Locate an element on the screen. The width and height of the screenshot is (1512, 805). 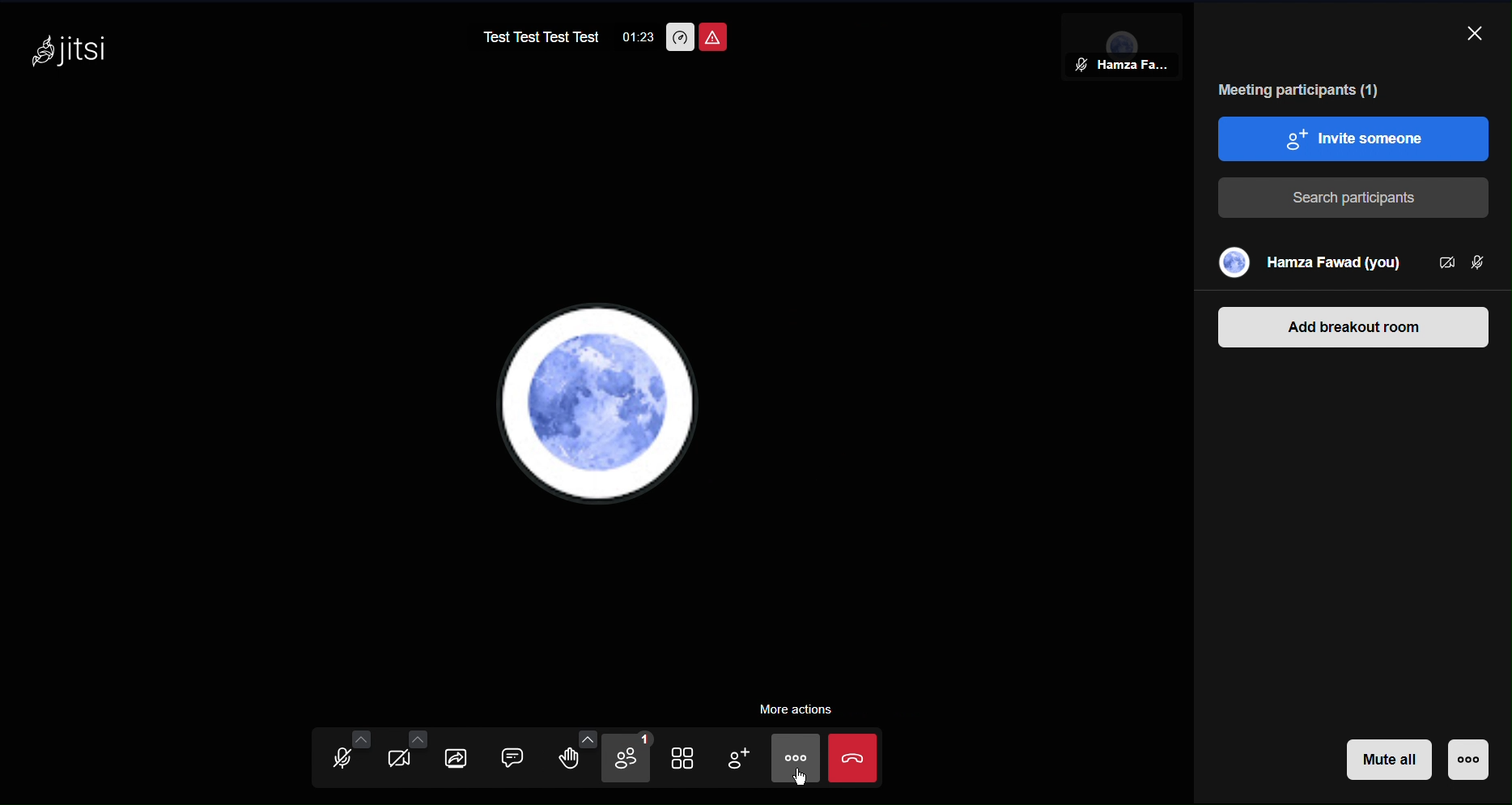
Raise Hand is located at coordinates (584, 758).